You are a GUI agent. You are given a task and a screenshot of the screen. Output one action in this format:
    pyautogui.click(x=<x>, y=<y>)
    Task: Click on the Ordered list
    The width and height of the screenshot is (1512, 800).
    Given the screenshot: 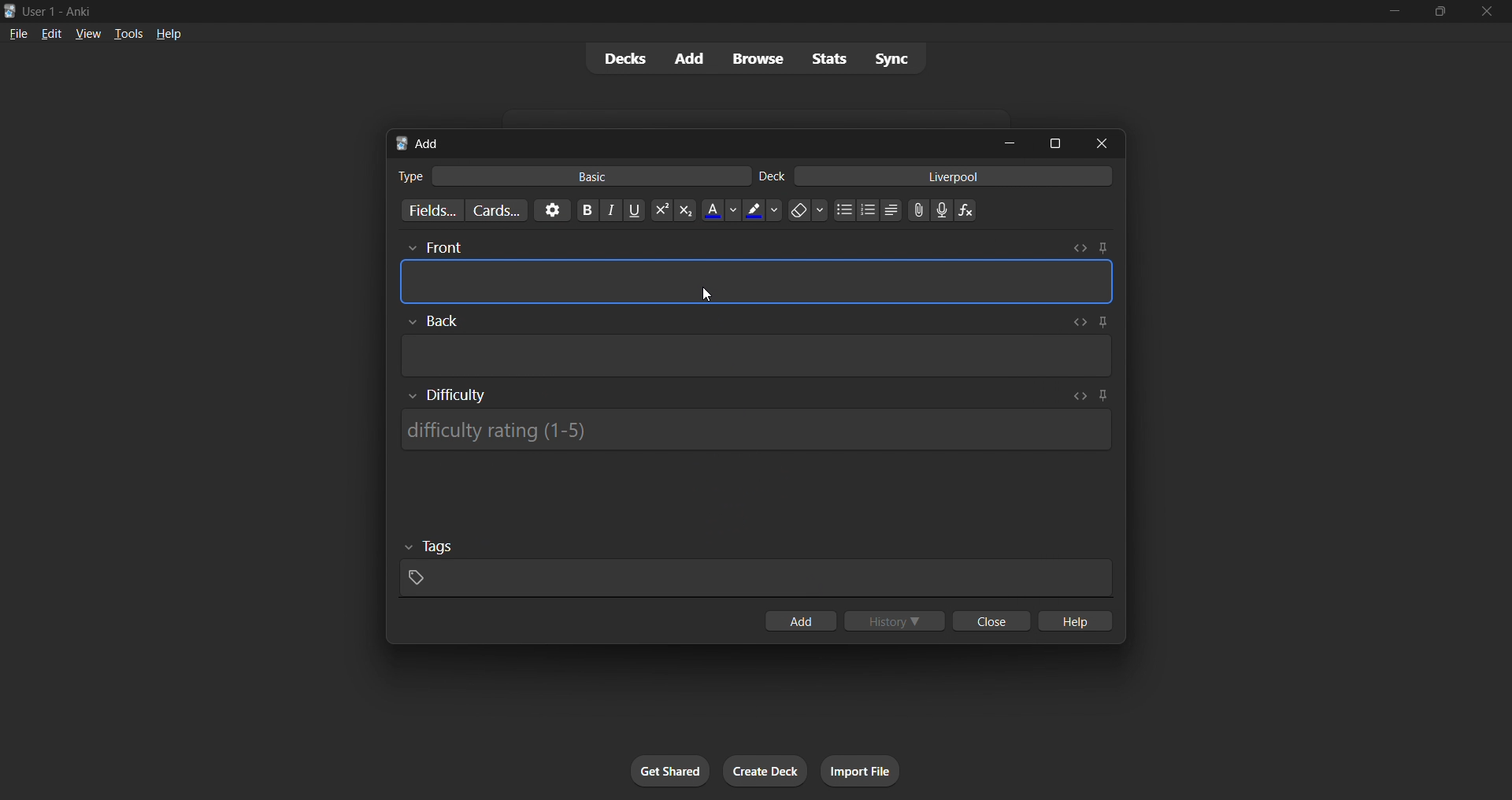 What is the action you would take?
    pyautogui.click(x=868, y=210)
    